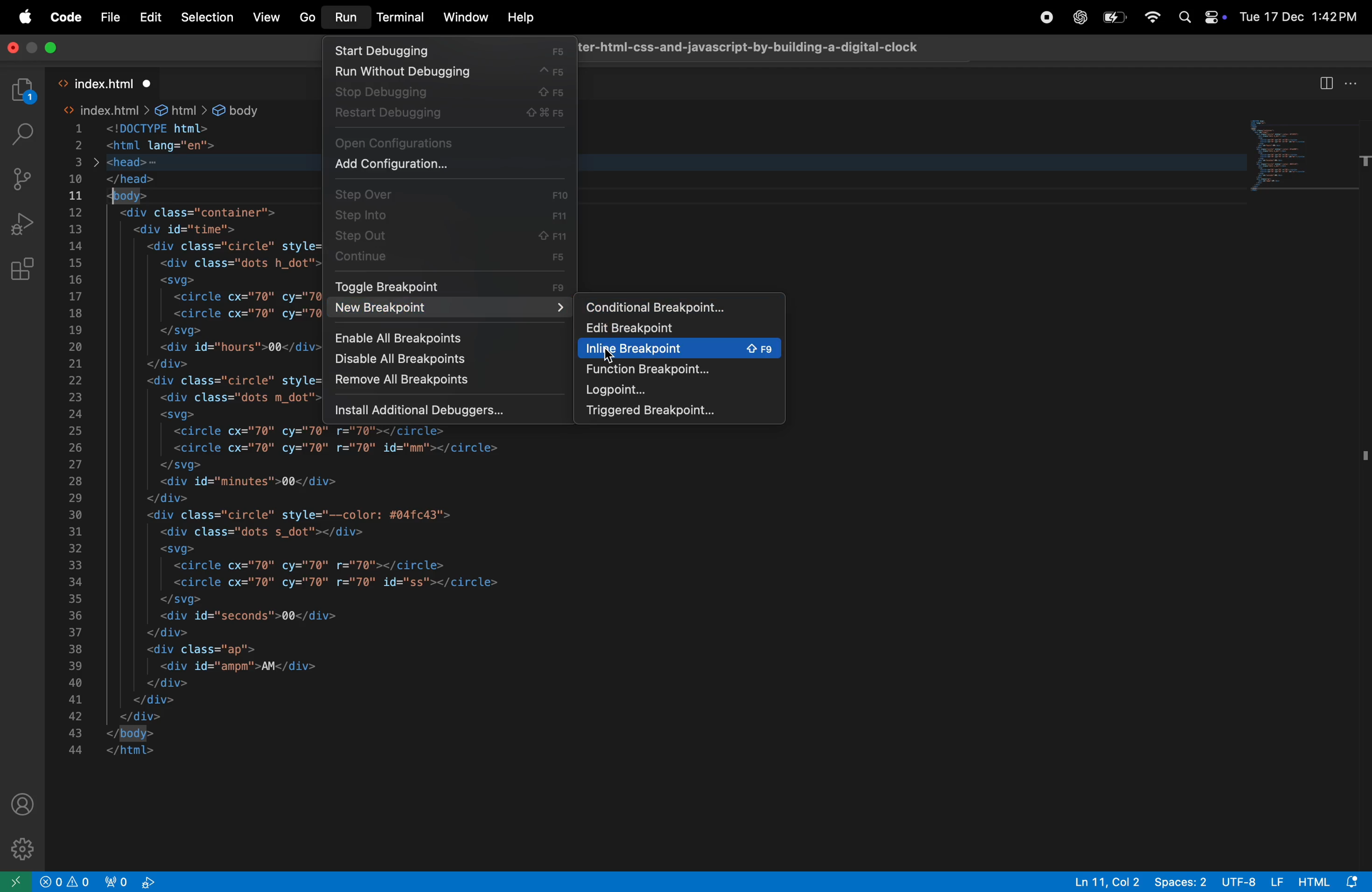  Describe the element at coordinates (33, 50) in the screenshot. I see `Minimize` at that location.